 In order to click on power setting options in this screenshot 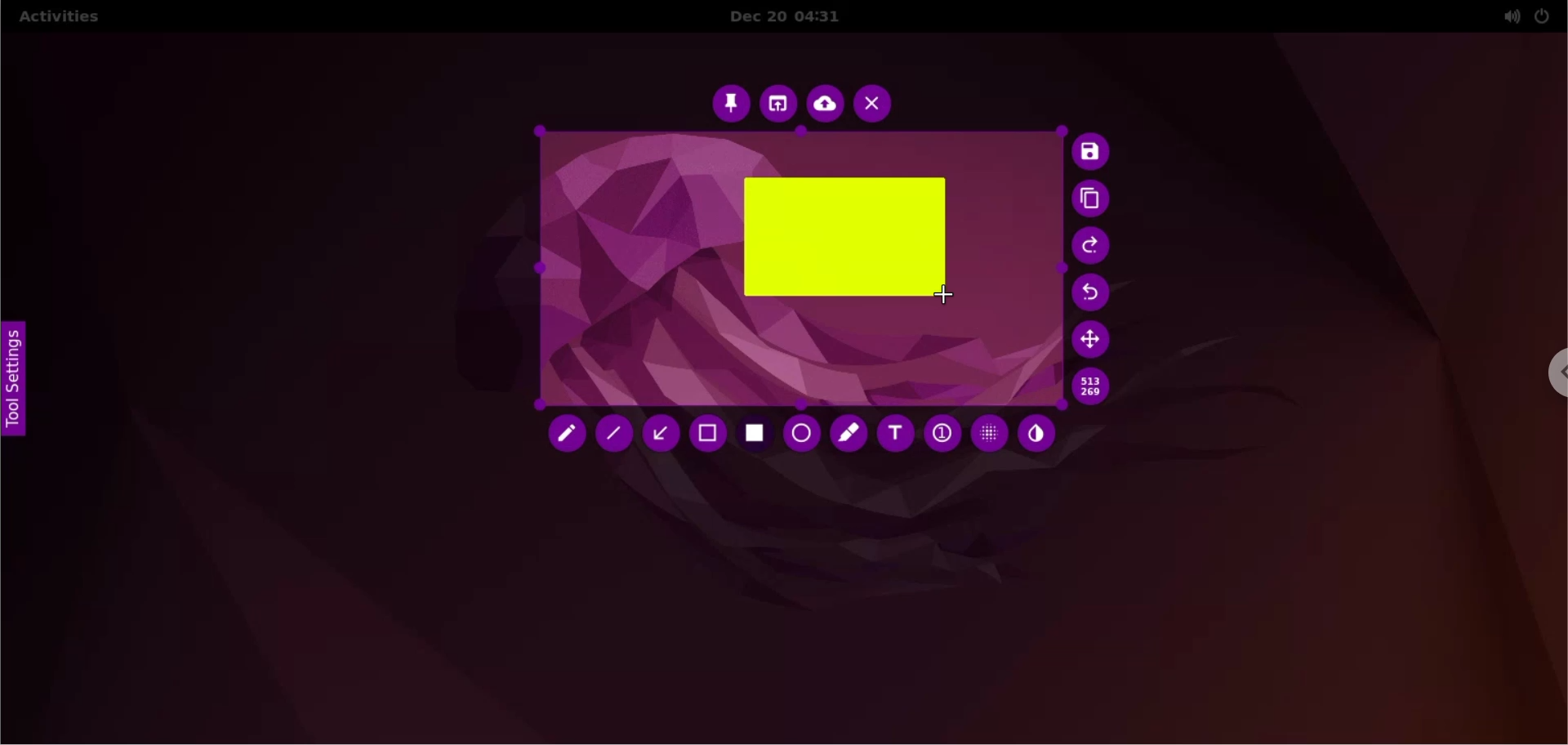, I will do `click(1548, 15)`.